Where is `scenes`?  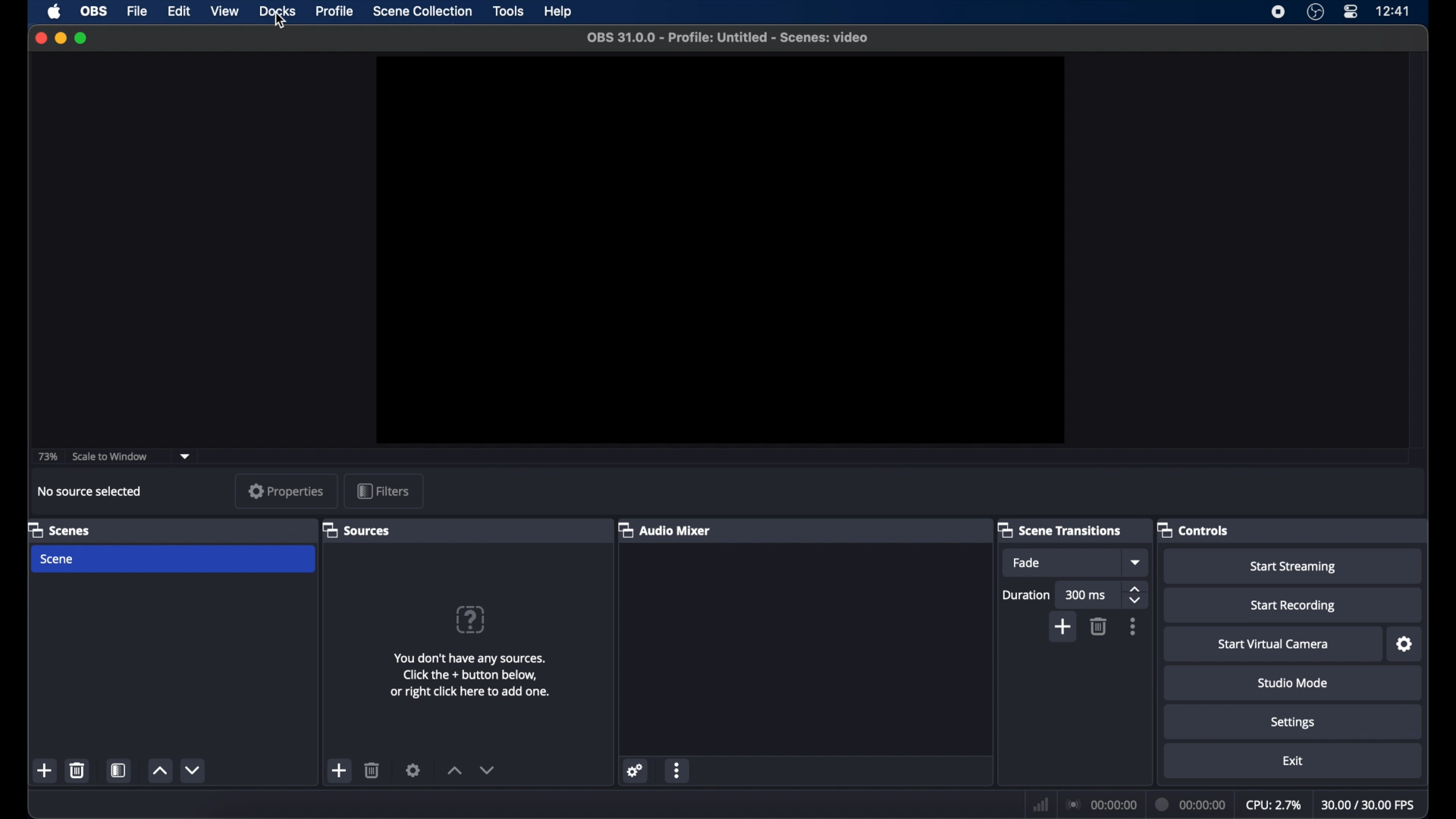 scenes is located at coordinates (60, 529).